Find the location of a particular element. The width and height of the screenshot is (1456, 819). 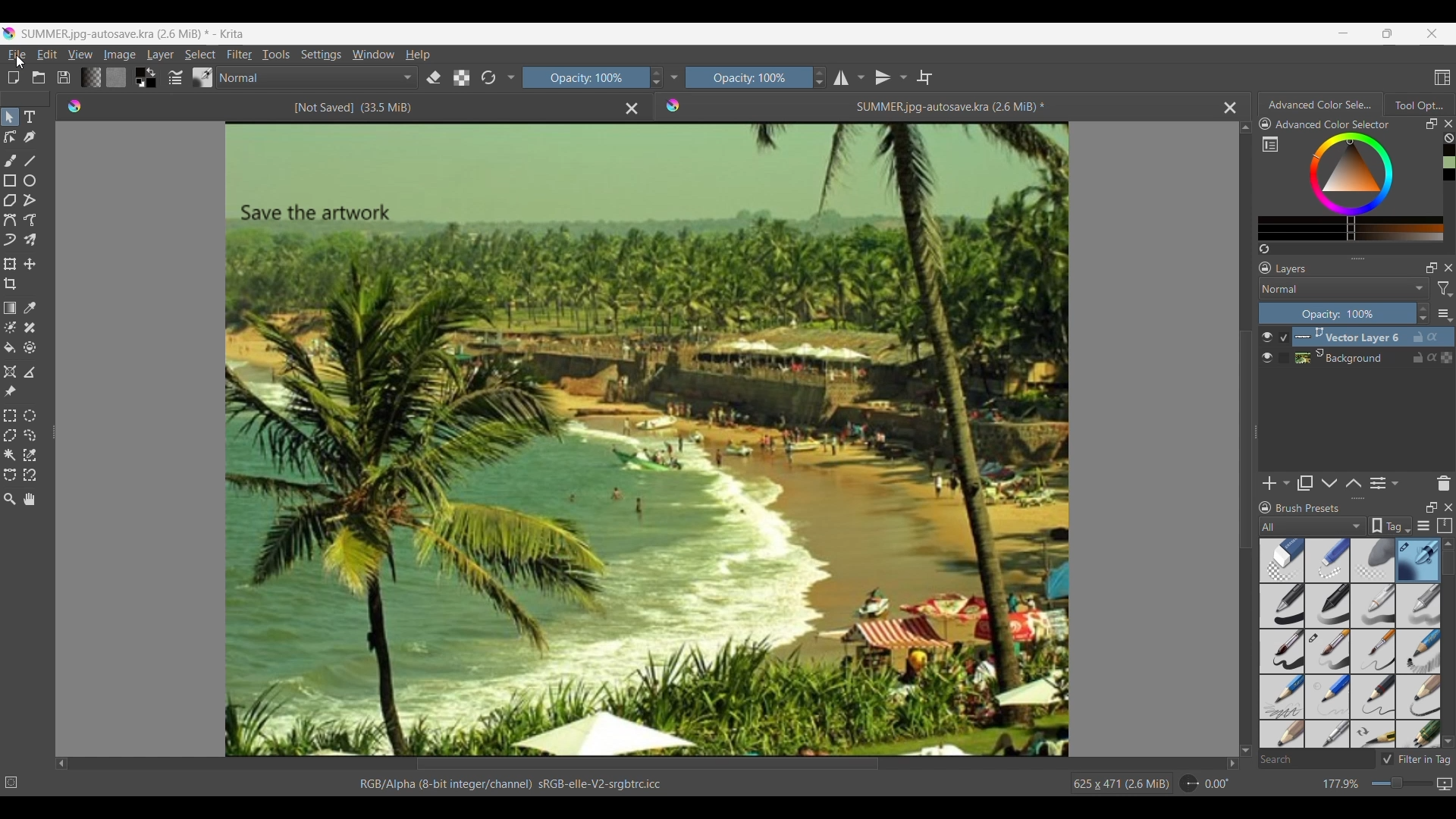

Filter is located at coordinates (240, 54).